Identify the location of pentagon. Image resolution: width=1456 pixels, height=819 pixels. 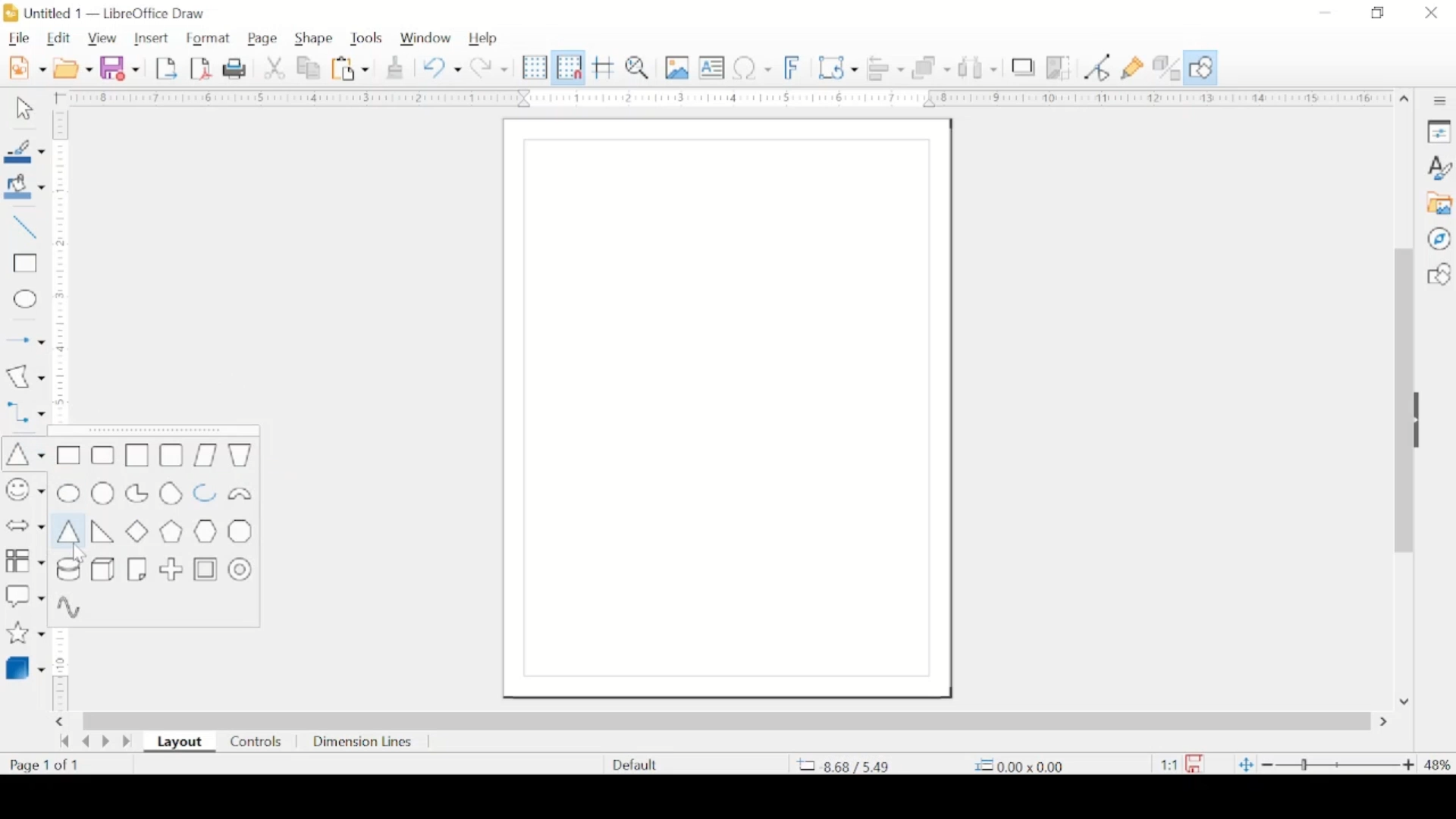
(171, 530).